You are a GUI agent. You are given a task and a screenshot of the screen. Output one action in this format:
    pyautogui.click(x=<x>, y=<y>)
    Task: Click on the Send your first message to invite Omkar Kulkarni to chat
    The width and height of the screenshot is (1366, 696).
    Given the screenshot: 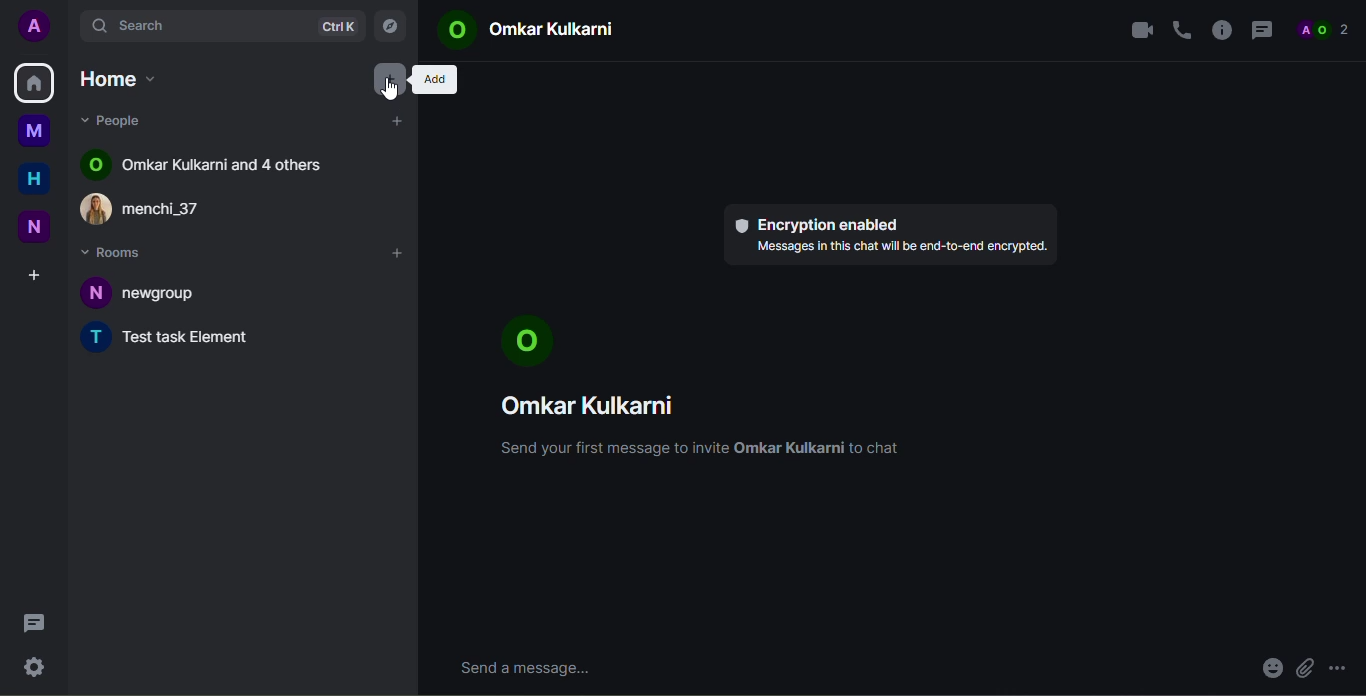 What is the action you would take?
    pyautogui.click(x=703, y=451)
    